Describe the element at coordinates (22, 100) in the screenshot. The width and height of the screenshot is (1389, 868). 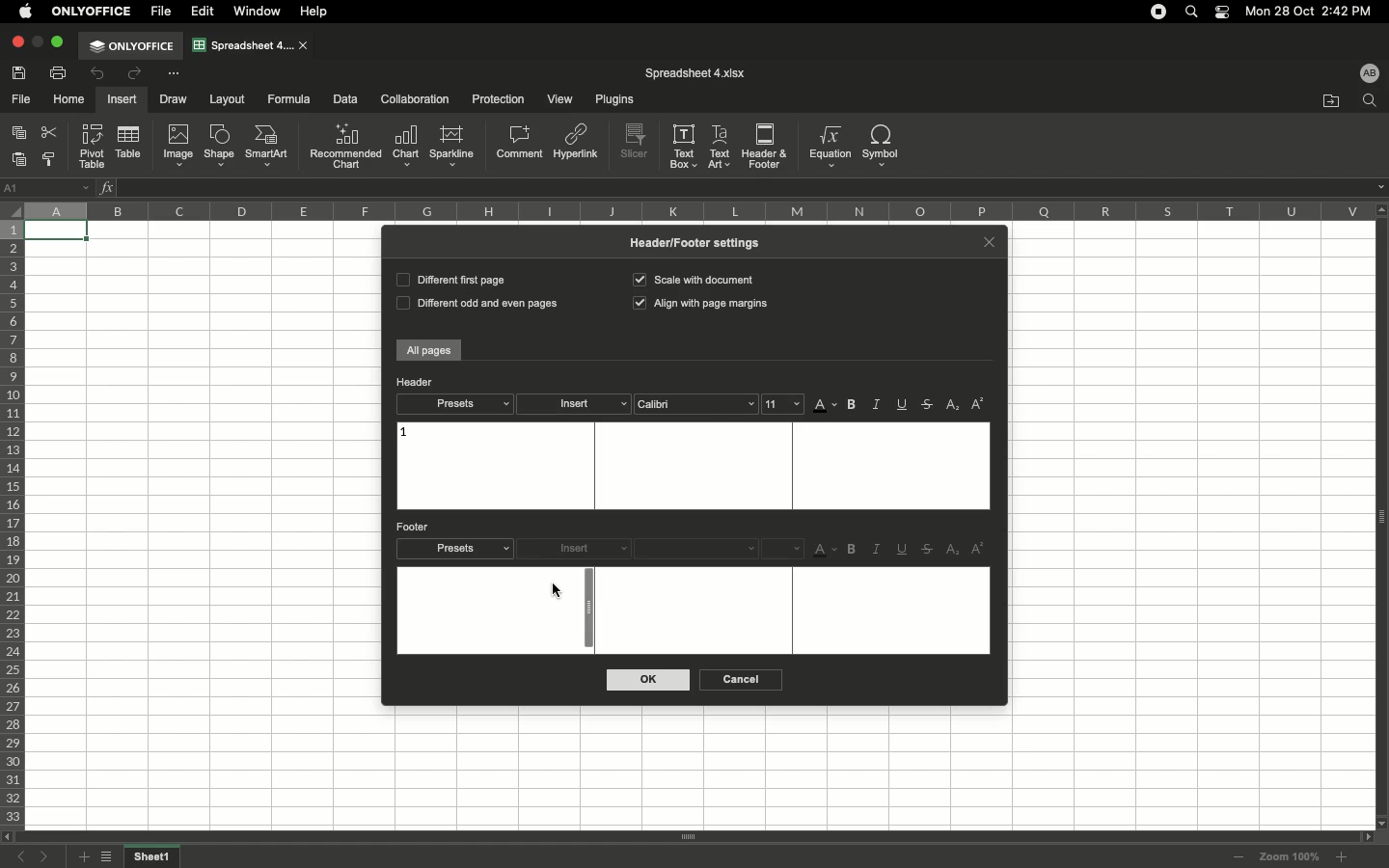
I see `File` at that location.